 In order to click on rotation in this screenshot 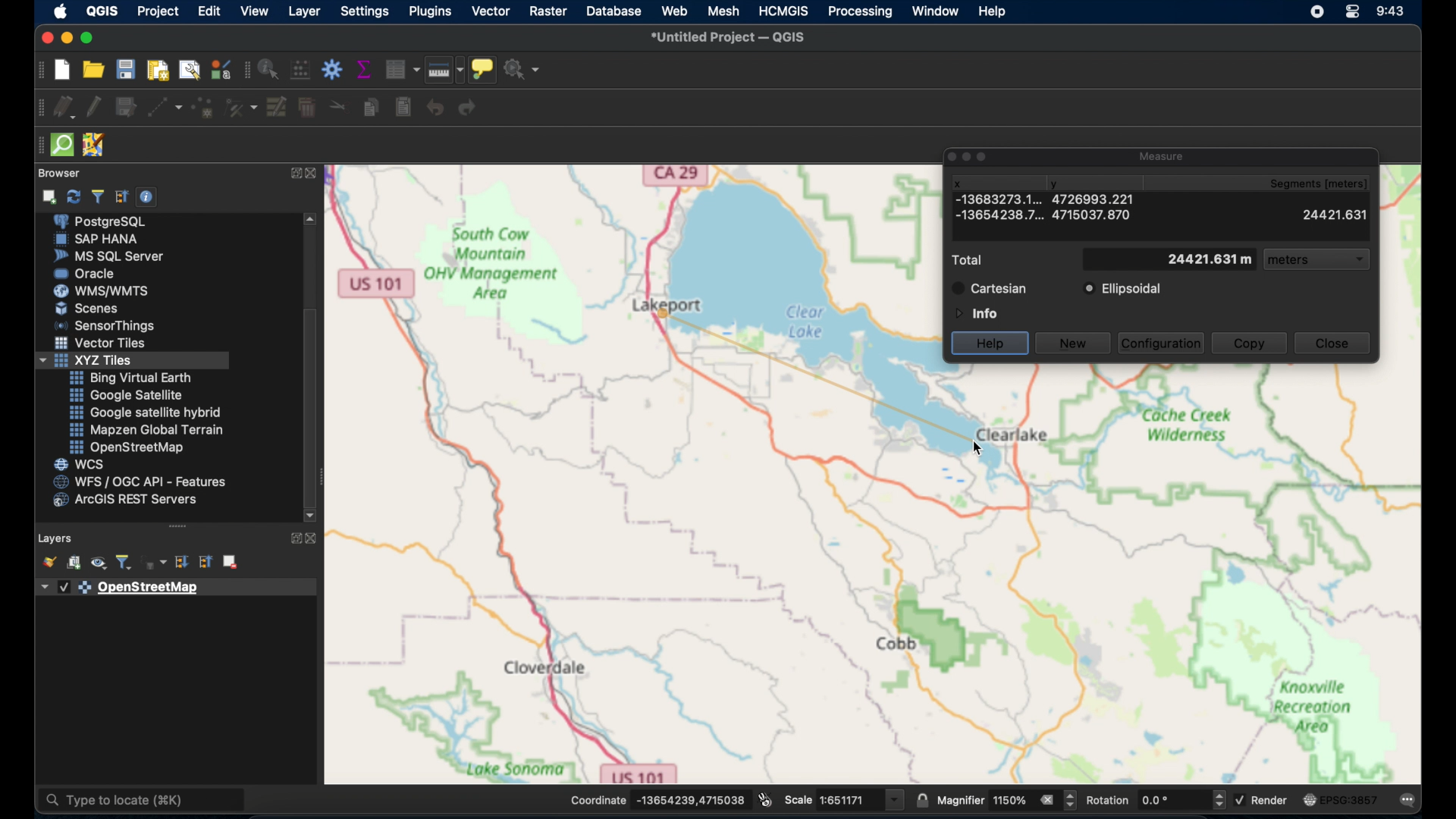, I will do `click(1156, 799)`.